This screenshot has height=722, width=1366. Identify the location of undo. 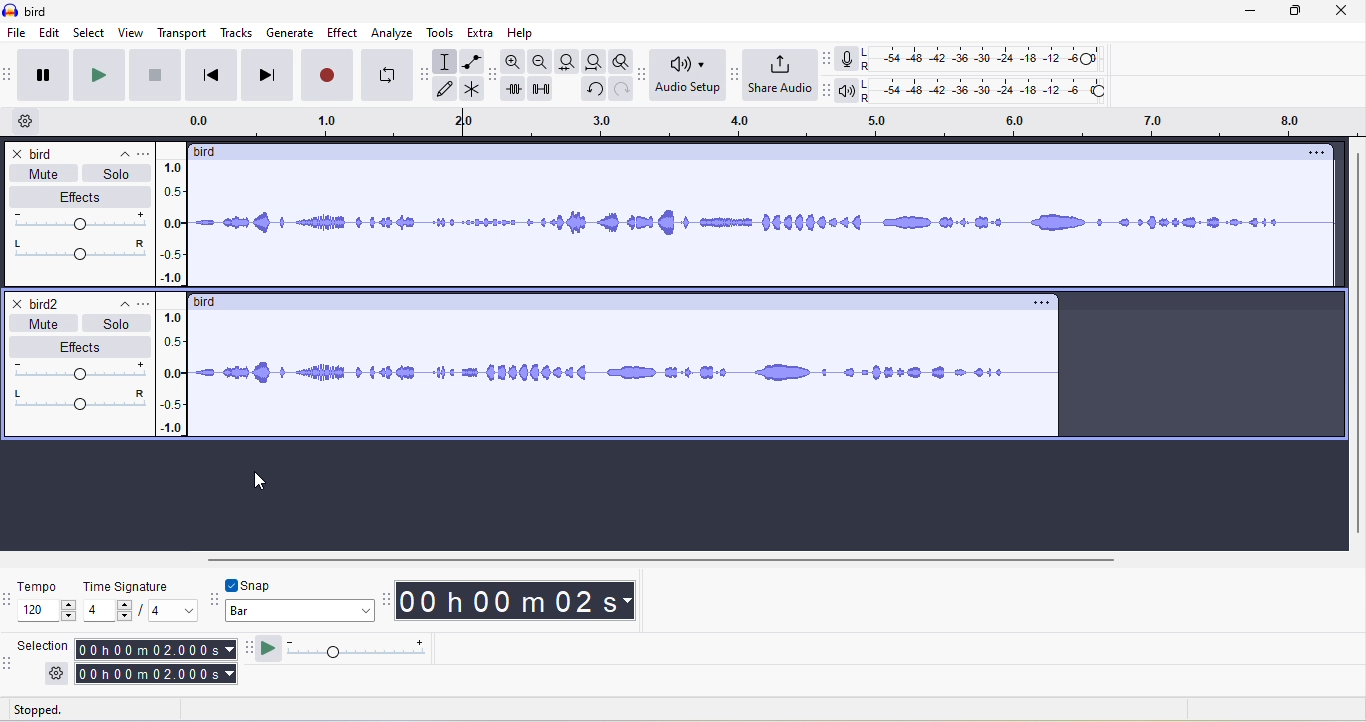
(591, 92).